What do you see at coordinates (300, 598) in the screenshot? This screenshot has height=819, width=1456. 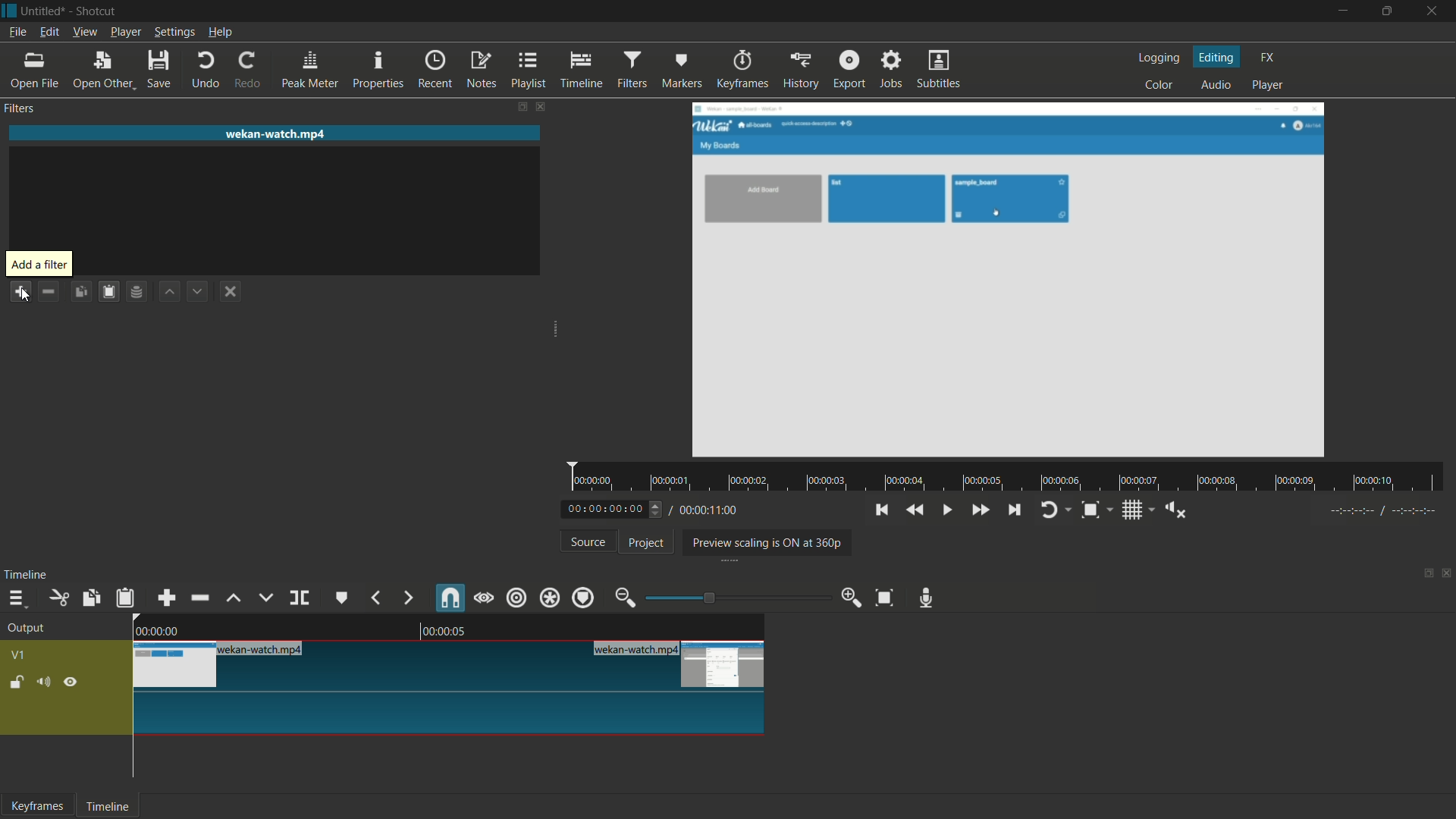 I see `split at playhead` at bounding box center [300, 598].